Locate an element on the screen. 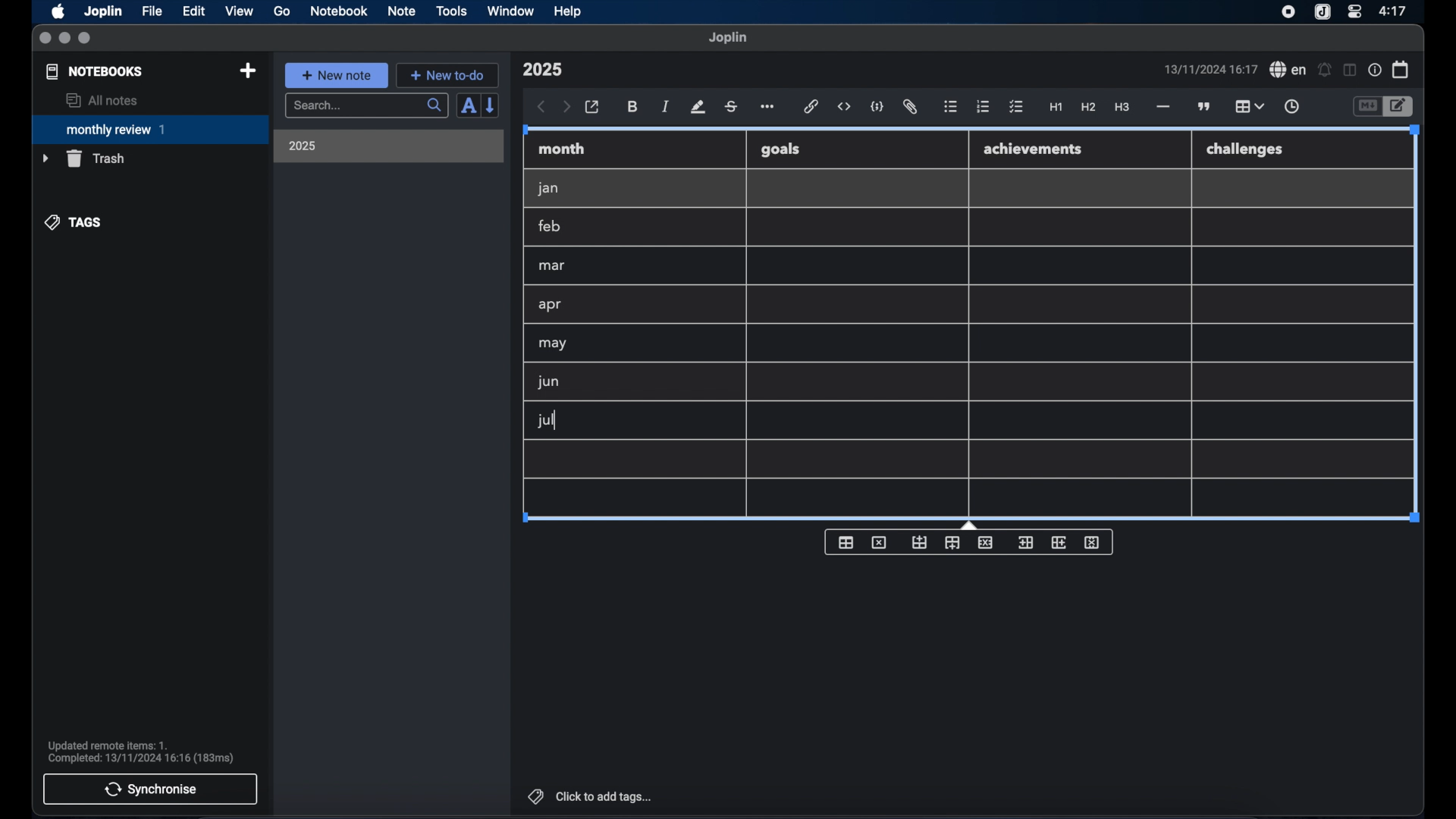 The height and width of the screenshot is (819, 1456). forward is located at coordinates (566, 108).